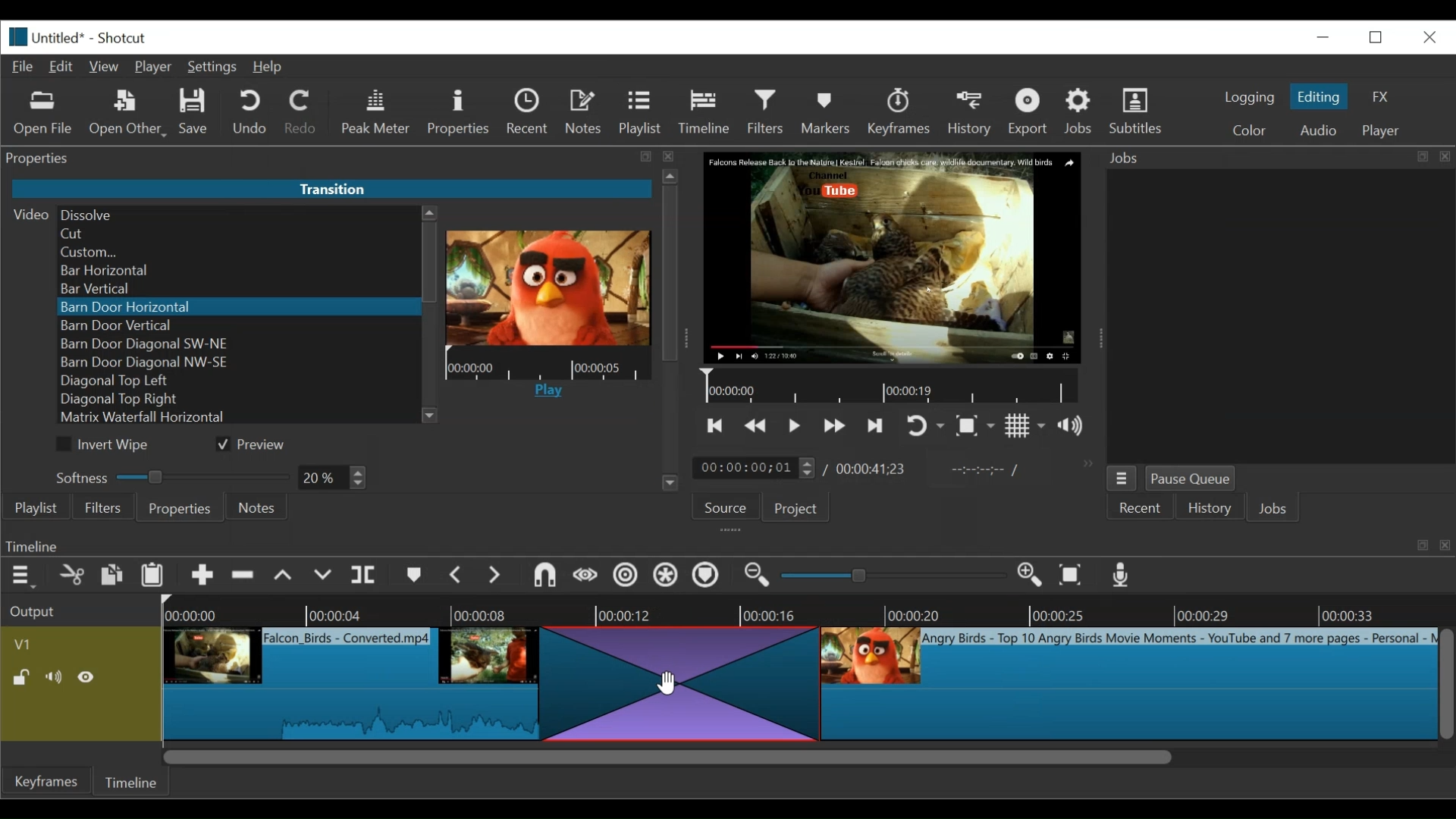  What do you see at coordinates (1209, 507) in the screenshot?
I see `History` at bounding box center [1209, 507].